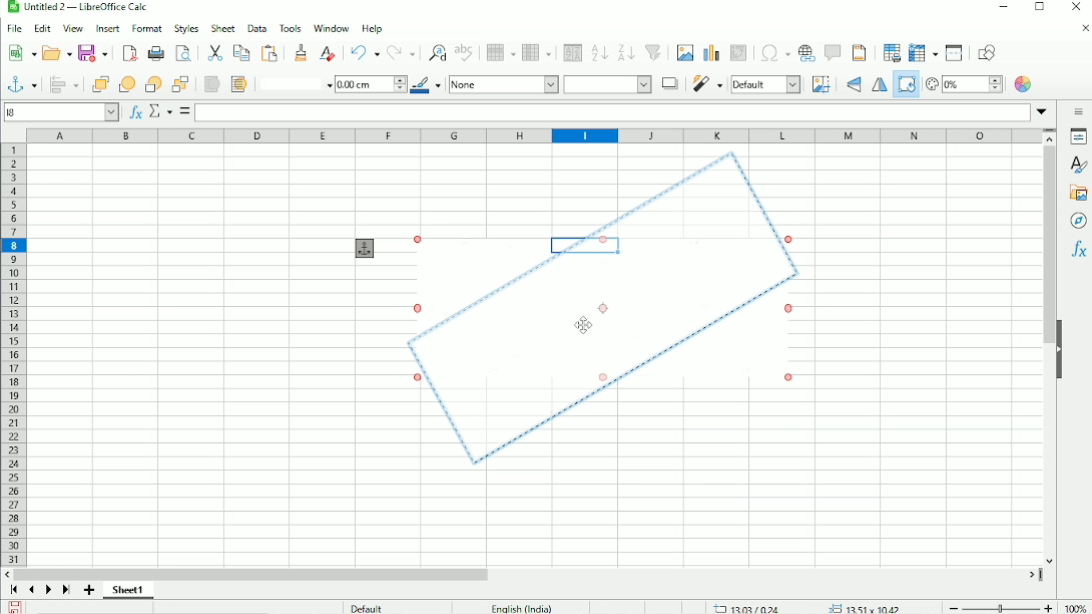  What do you see at coordinates (365, 248) in the screenshot?
I see `Anchor` at bounding box center [365, 248].